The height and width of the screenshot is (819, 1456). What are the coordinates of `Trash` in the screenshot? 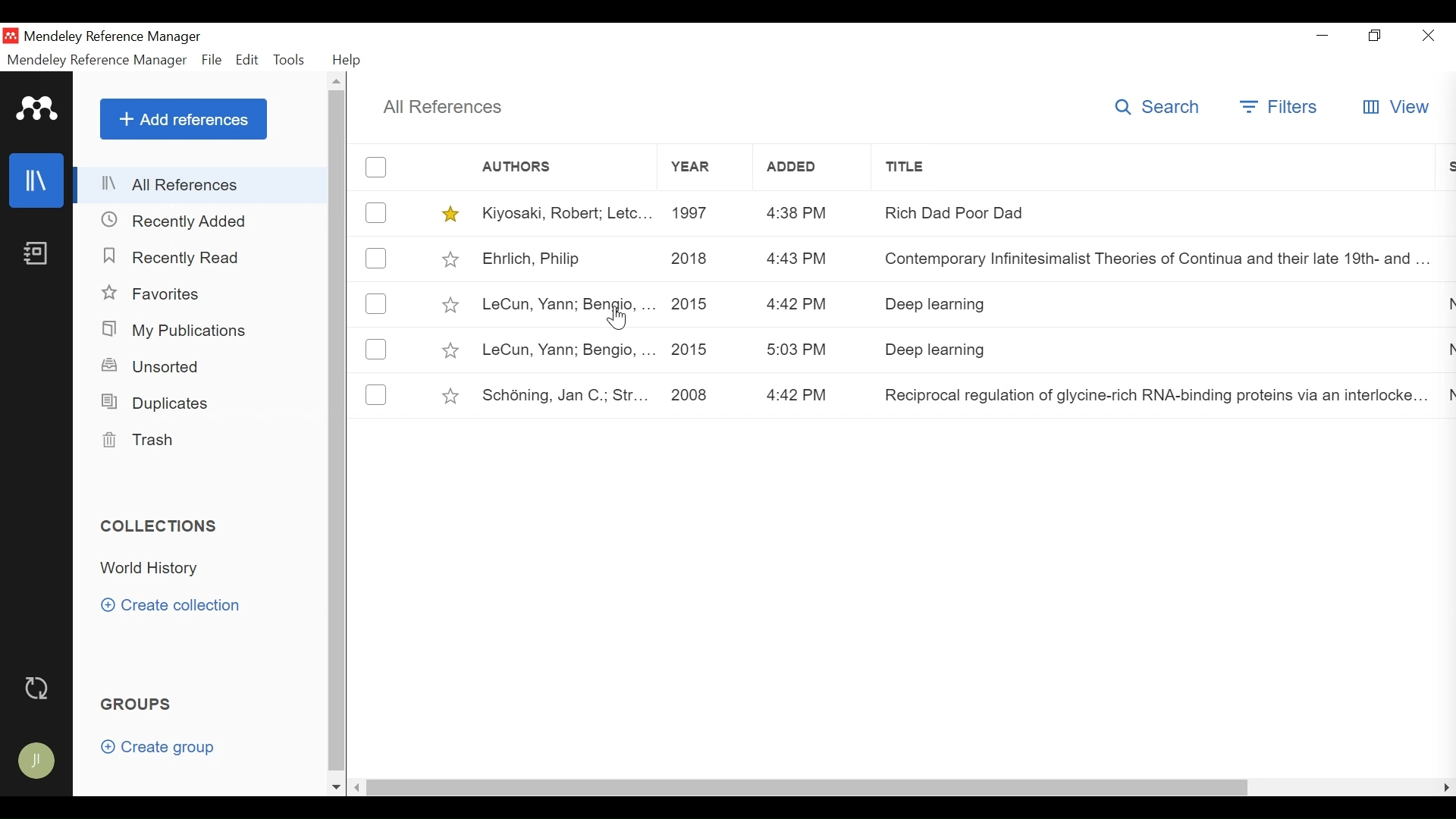 It's located at (137, 441).